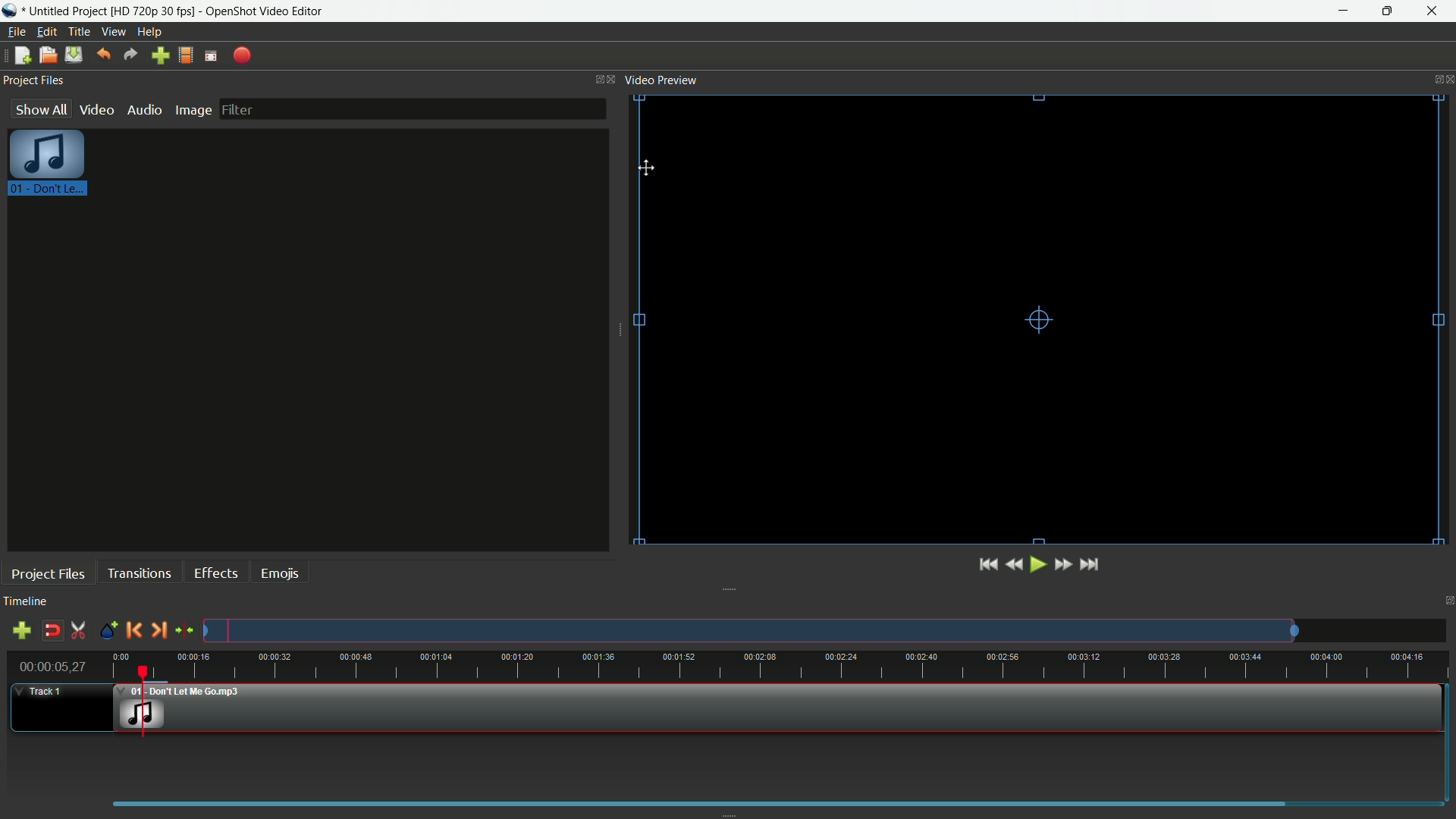 The image size is (1456, 819). I want to click on quickly play backward, so click(1016, 564).